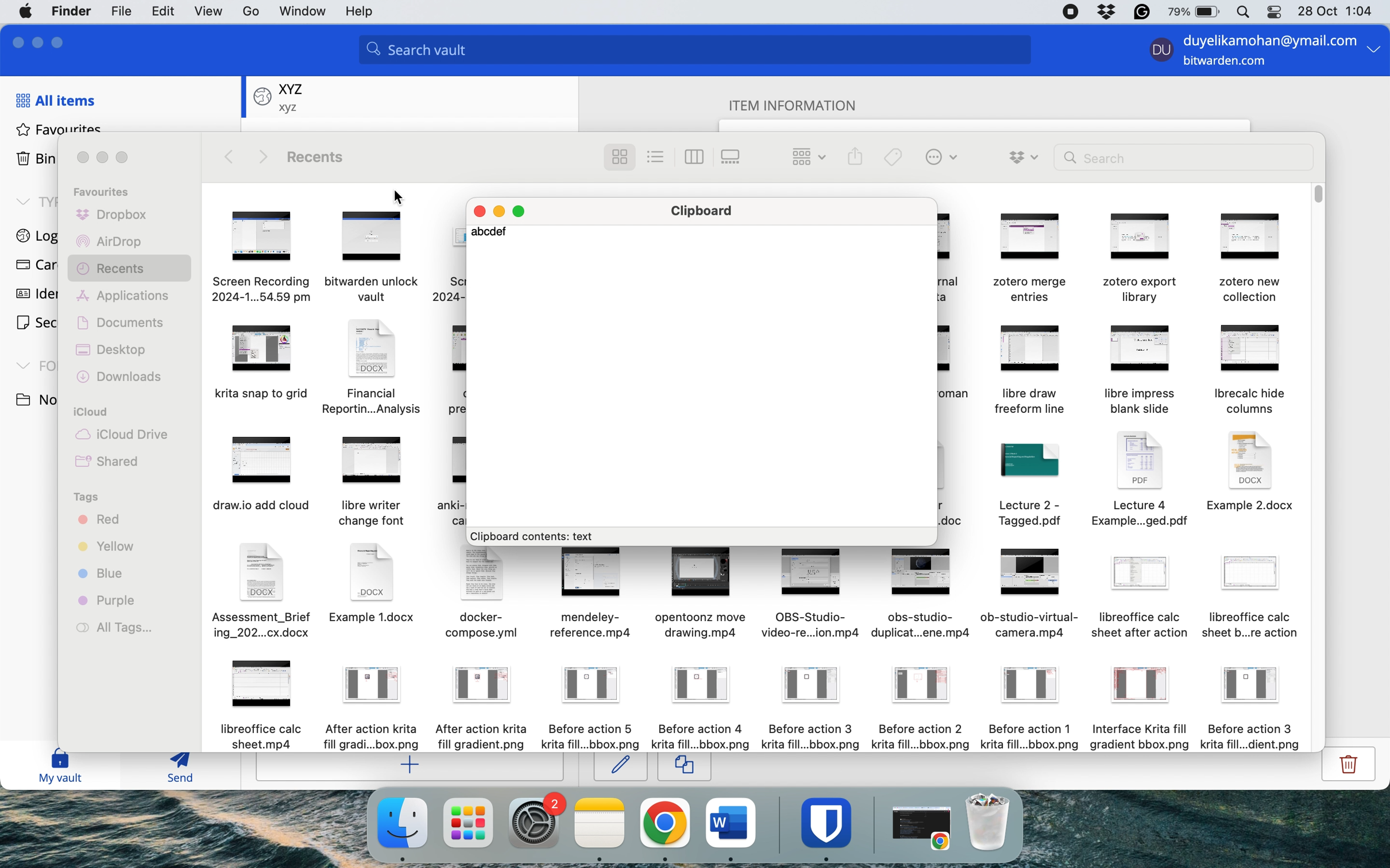 The height and width of the screenshot is (868, 1390). What do you see at coordinates (496, 234) in the screenshot?
I see `copied password` at bounding box center [496, 234].